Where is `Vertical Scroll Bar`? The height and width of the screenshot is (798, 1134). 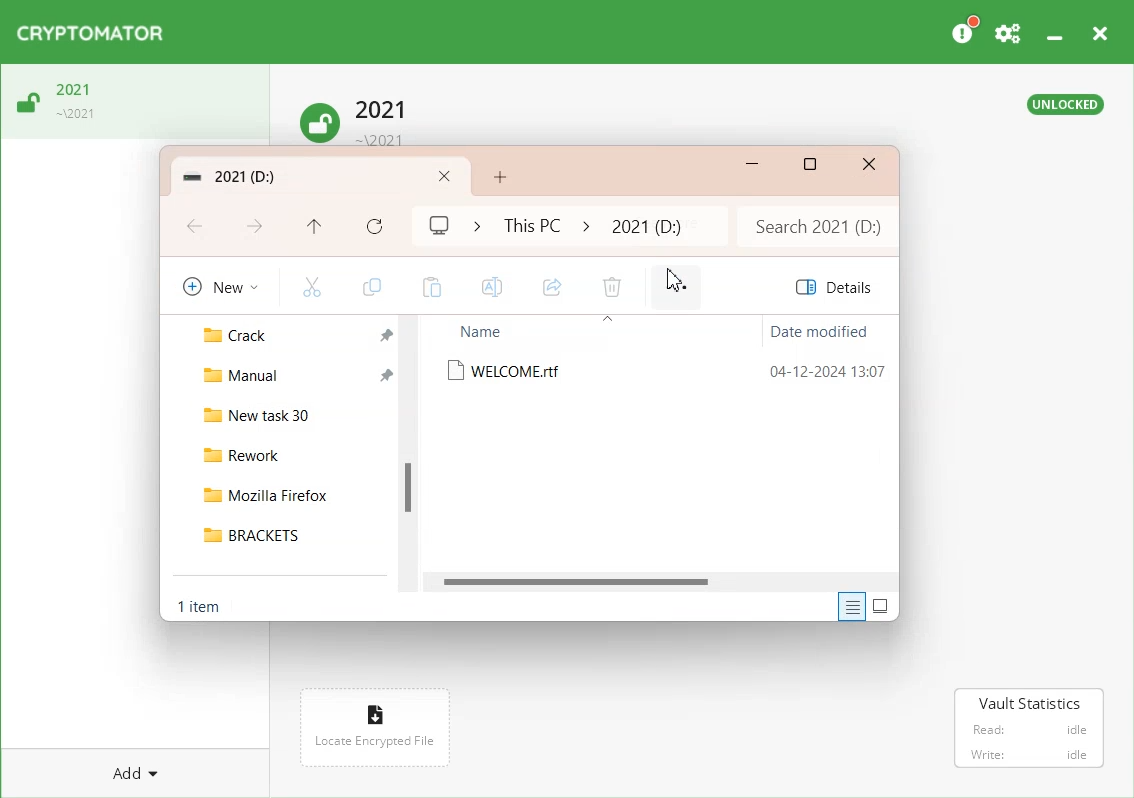
Vertical Scroll Bar is located at coordinates (408, 456).